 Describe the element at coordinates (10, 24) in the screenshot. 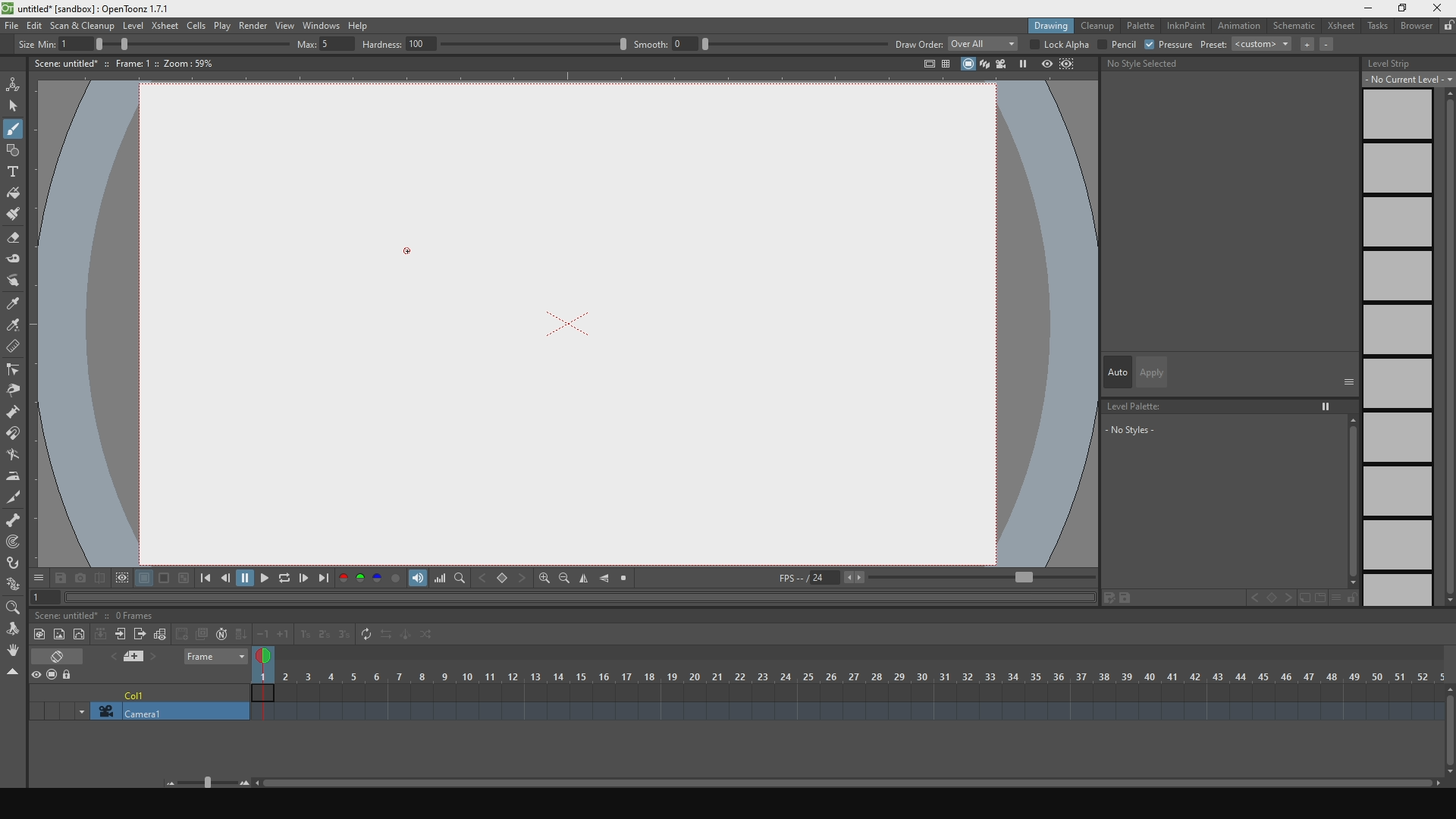

I see `file` at that location.